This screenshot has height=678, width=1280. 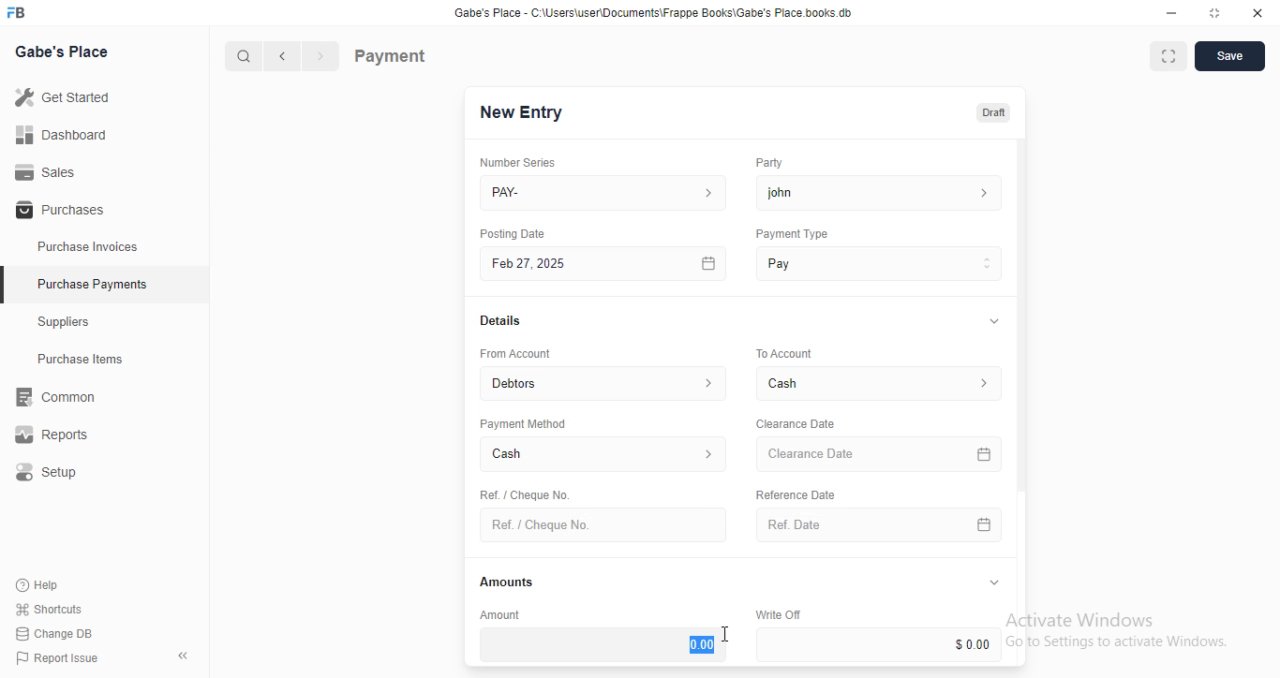 I want to click on To Account, so click(x=782, y=352).